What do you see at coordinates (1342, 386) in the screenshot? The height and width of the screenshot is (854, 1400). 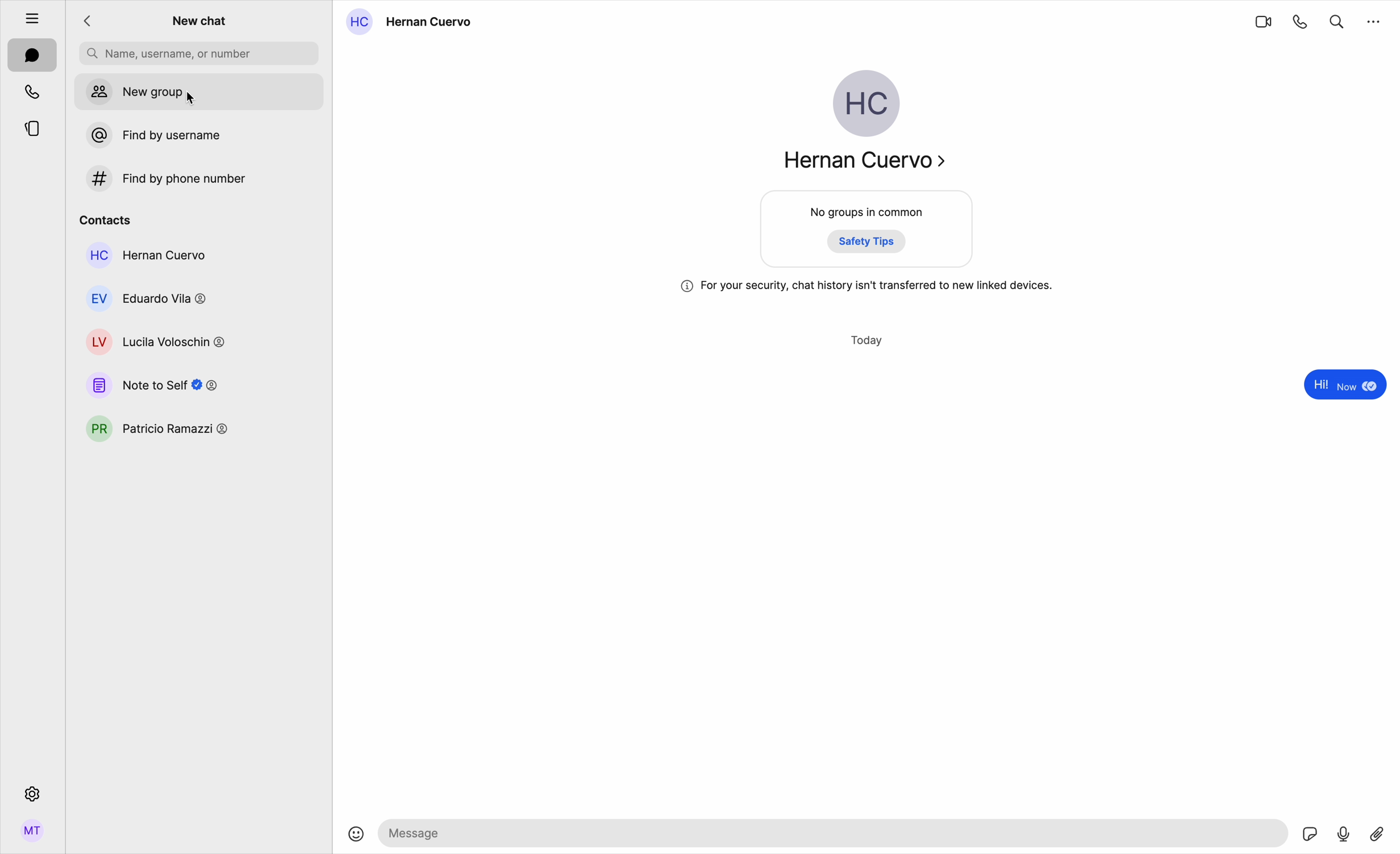 I see `message ` at bounding box center [1342, 386].